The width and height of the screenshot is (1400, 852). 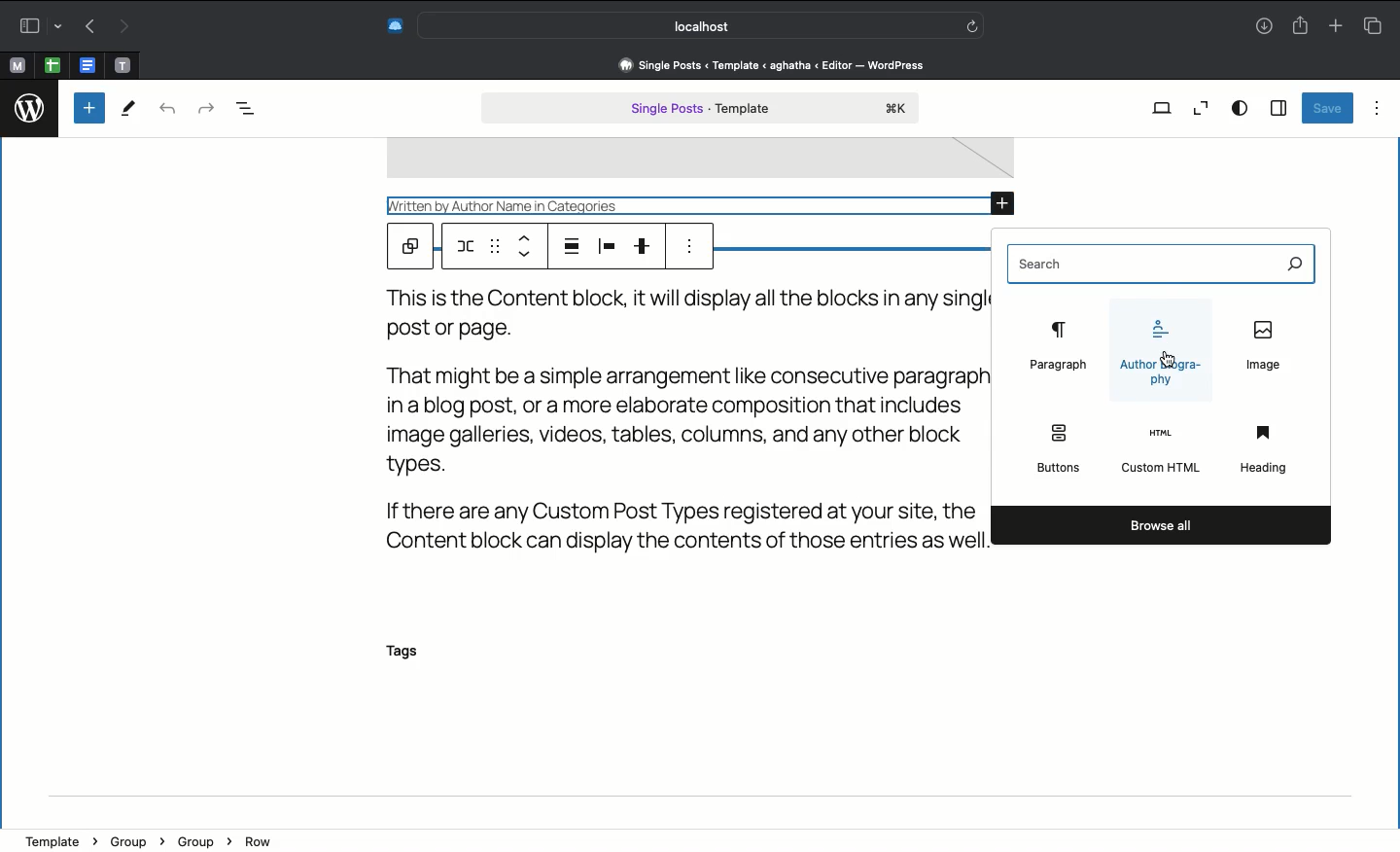 I want to click on Save, so click(x=1326, y=108).